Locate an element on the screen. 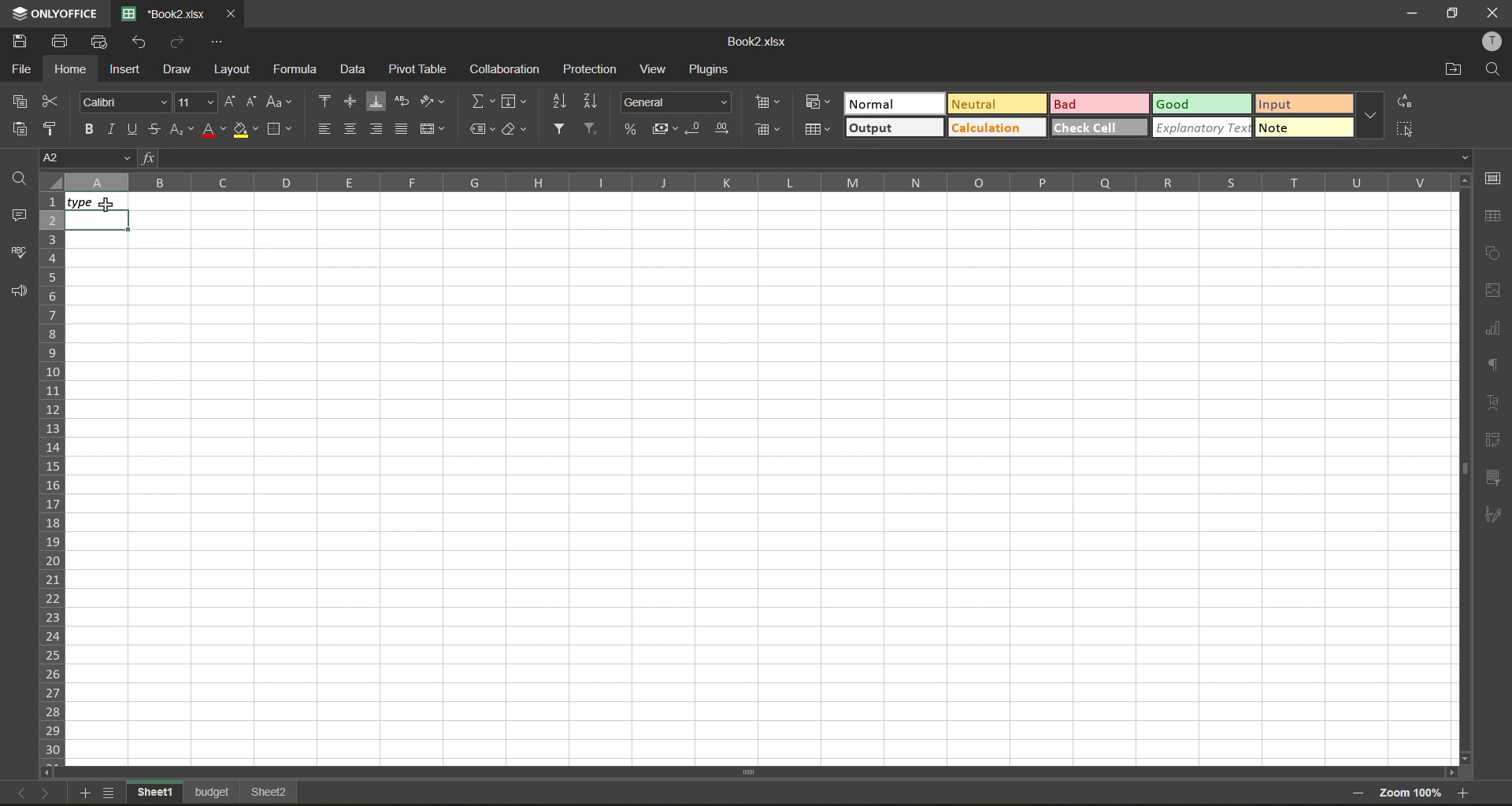  merge and center is located at coordinates (434, 129).